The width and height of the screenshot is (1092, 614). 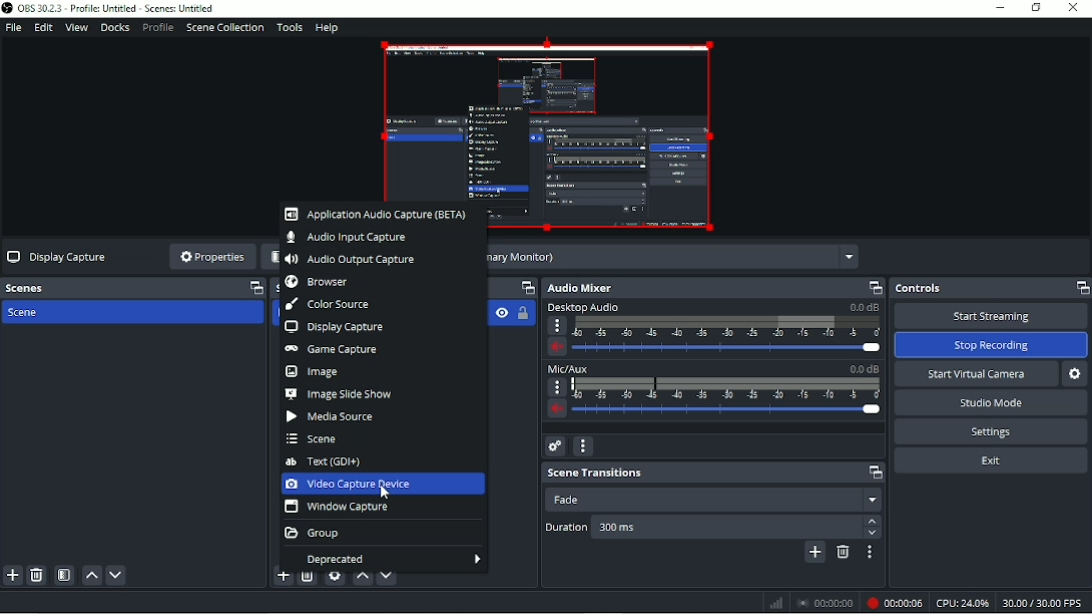 What do you see at coordinates (36, 575) in the screenshot?
I see `Remove selected scene` at bounding box center [36, 575].